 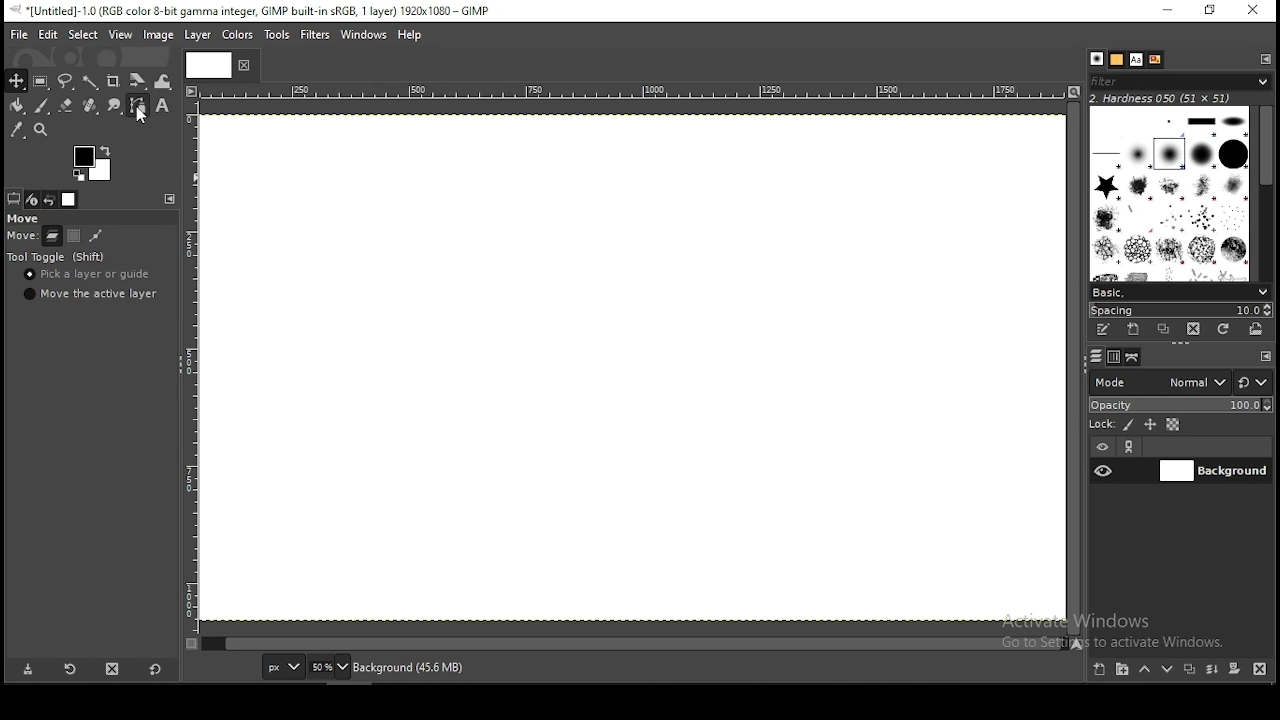 What do you see at coordinates (1210, 11) in the screenshot?
I see `restore` at bounding box center [1210, 11].